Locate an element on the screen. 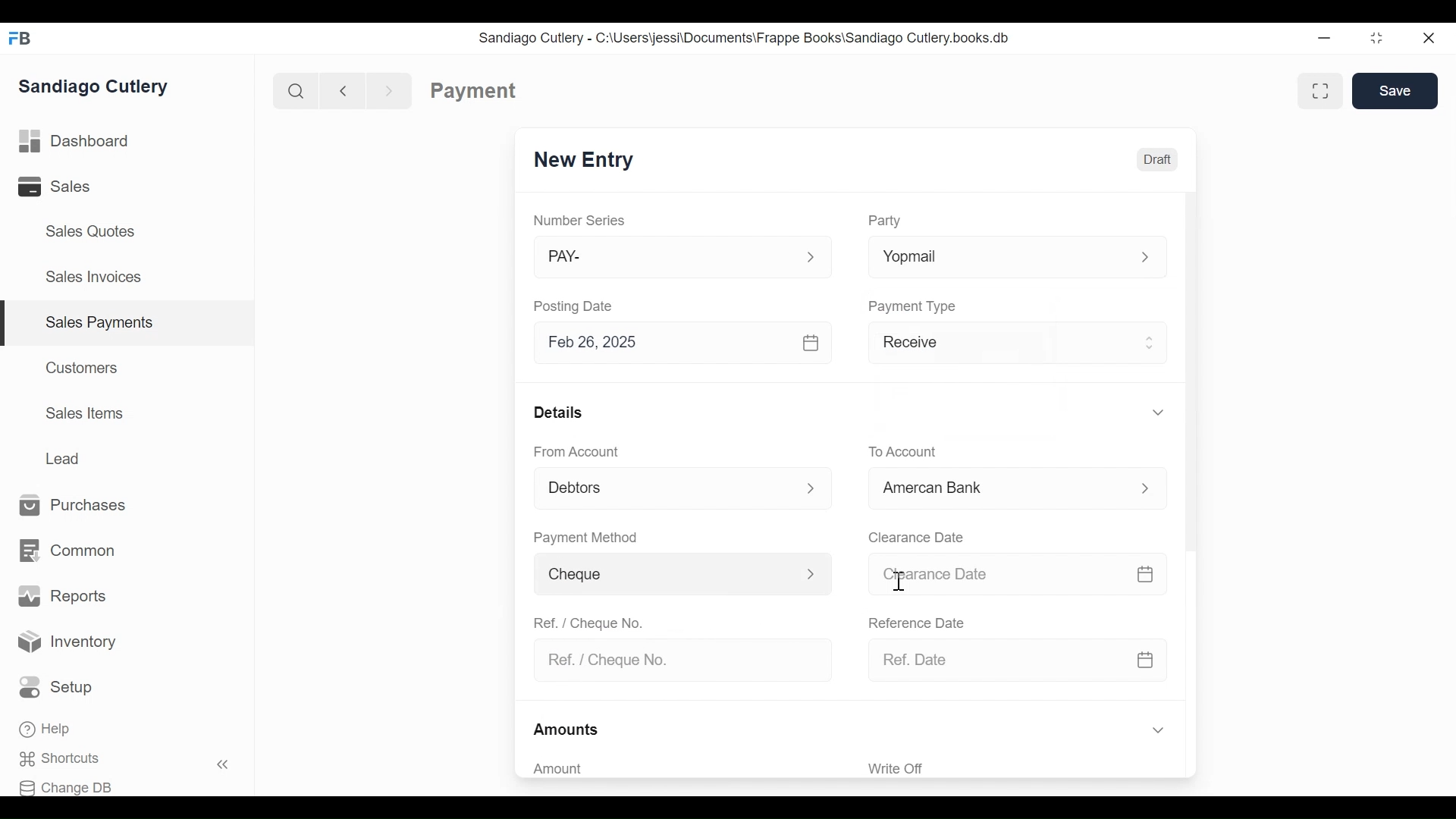 This screenshot has width=1456, height=819. Sandiago Cutlery - C:\Users\jessi\Documents\Frappe Books\Sandiago Cutlery.books.db is located at coordinates (744, 37).